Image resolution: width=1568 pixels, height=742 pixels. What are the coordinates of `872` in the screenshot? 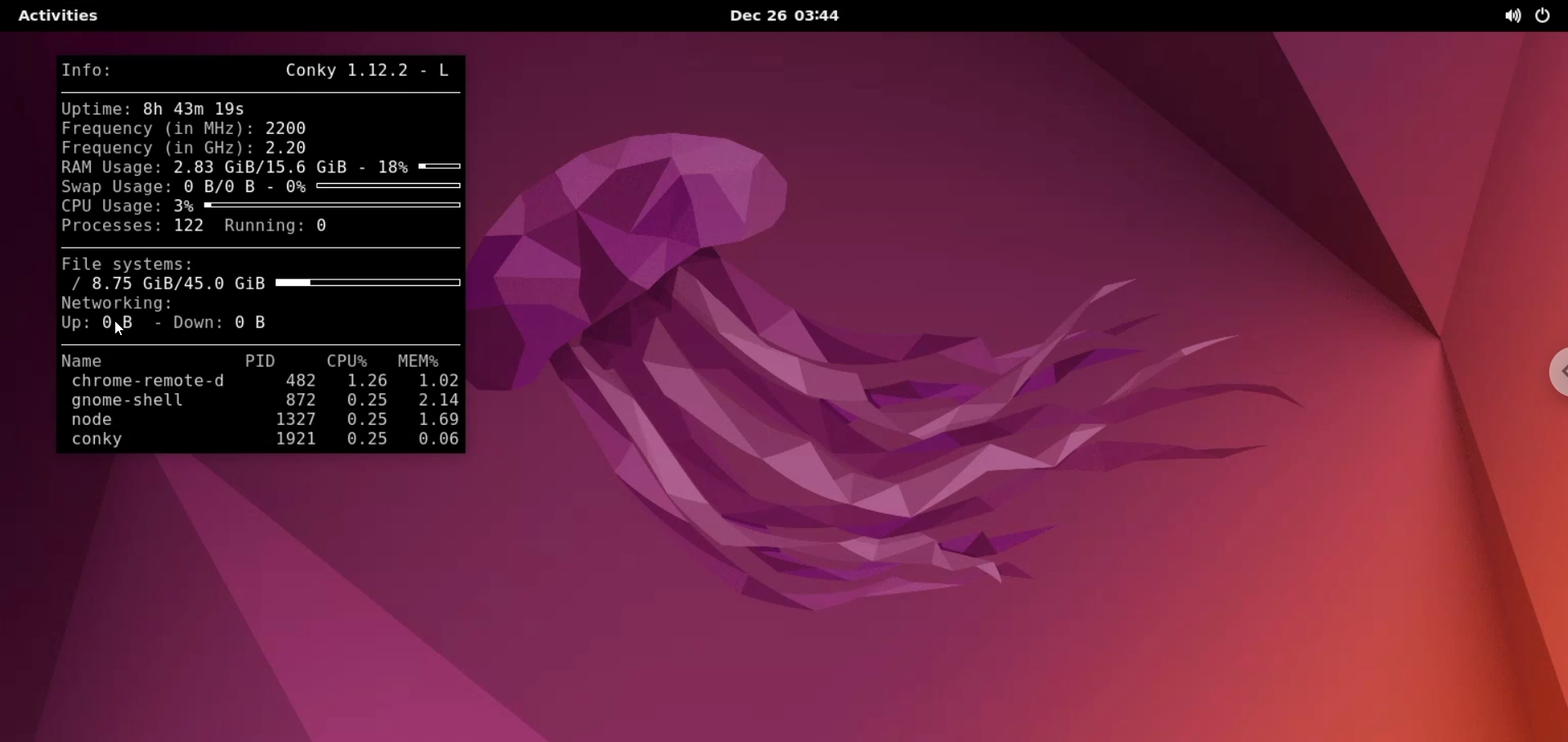 It's located at (303, 399).